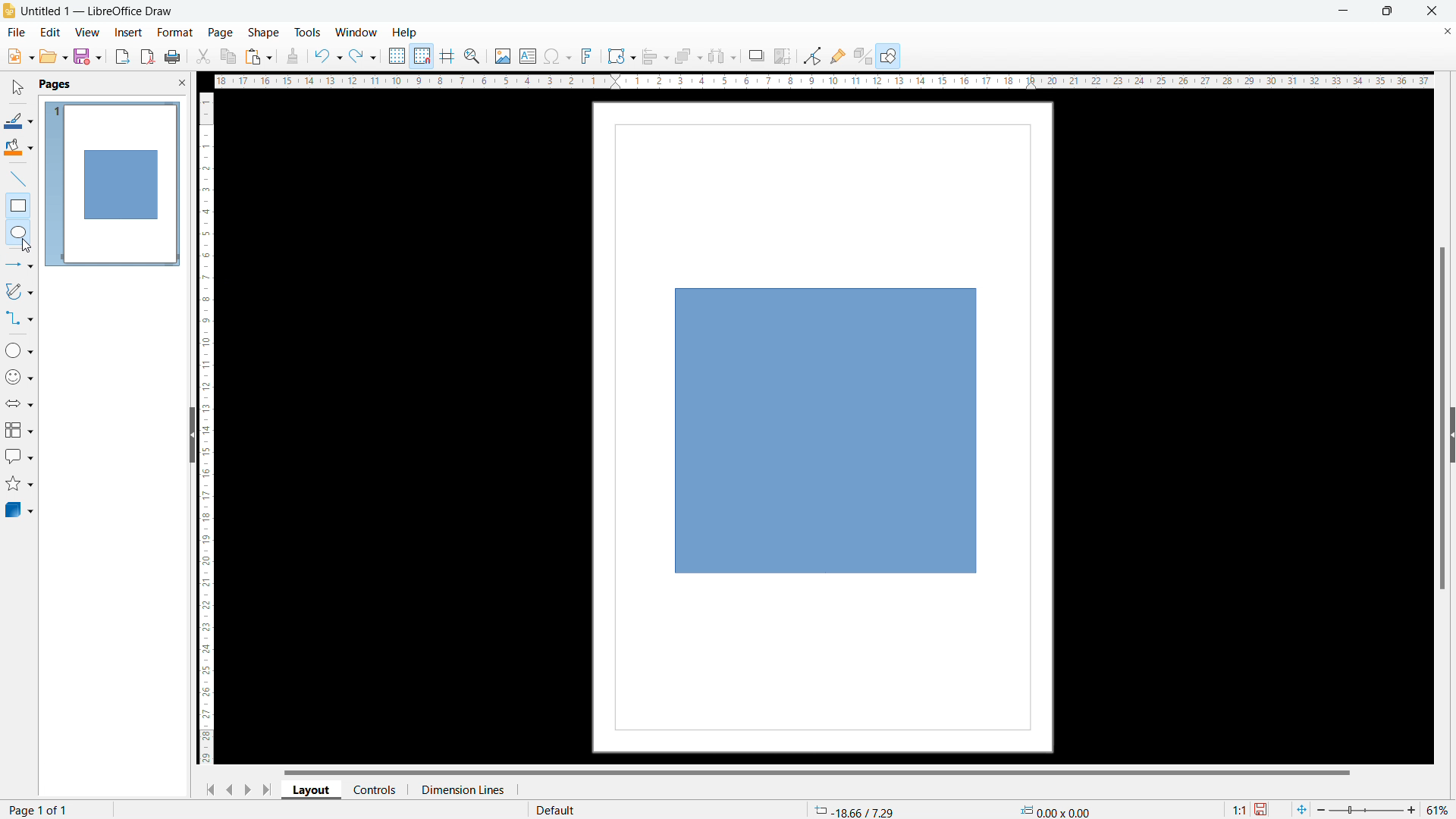 The width and height of the screenshot is (1456, 819). I want to click on select, so click(16, 88).